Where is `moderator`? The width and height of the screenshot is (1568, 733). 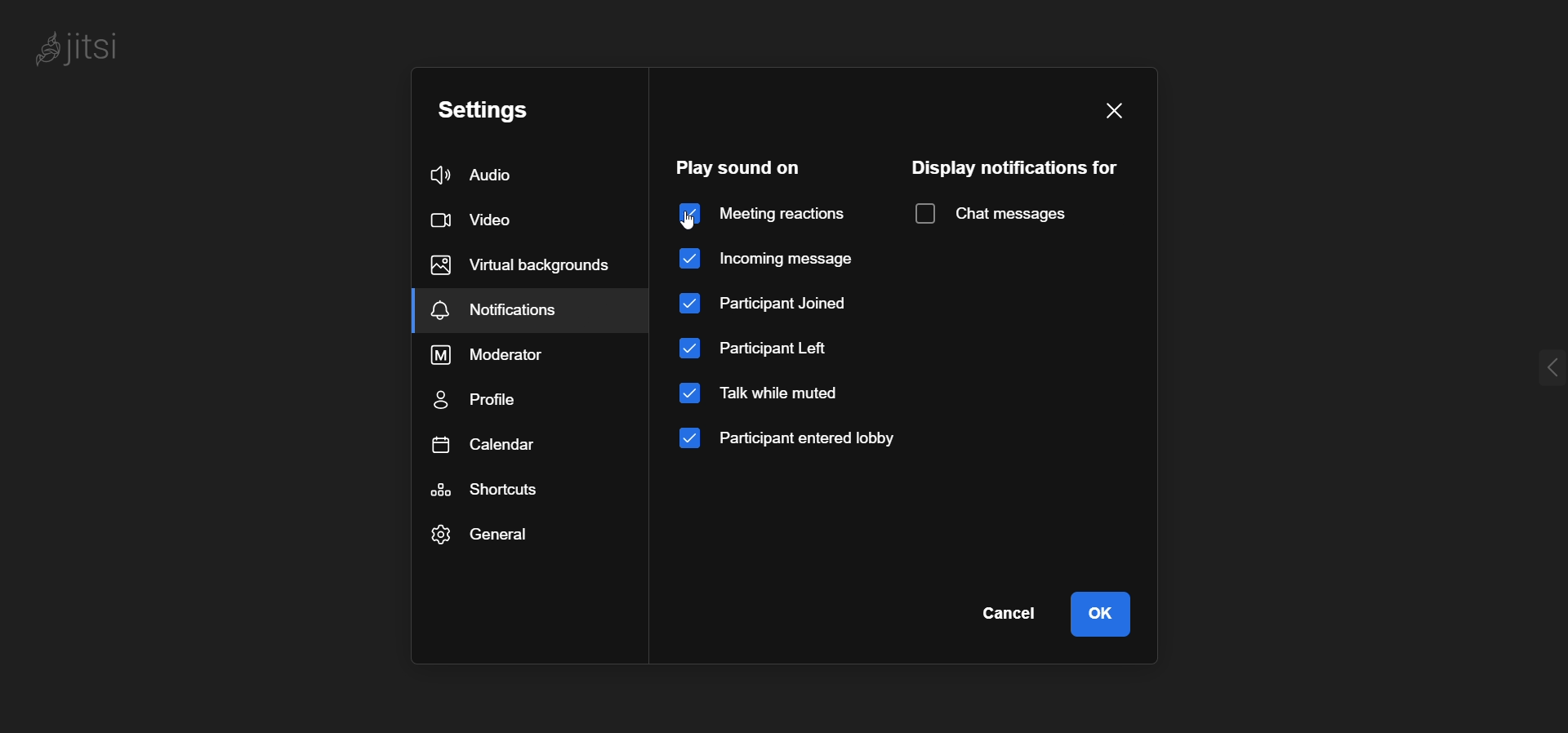 moderator is located at coordinates (488, 355).